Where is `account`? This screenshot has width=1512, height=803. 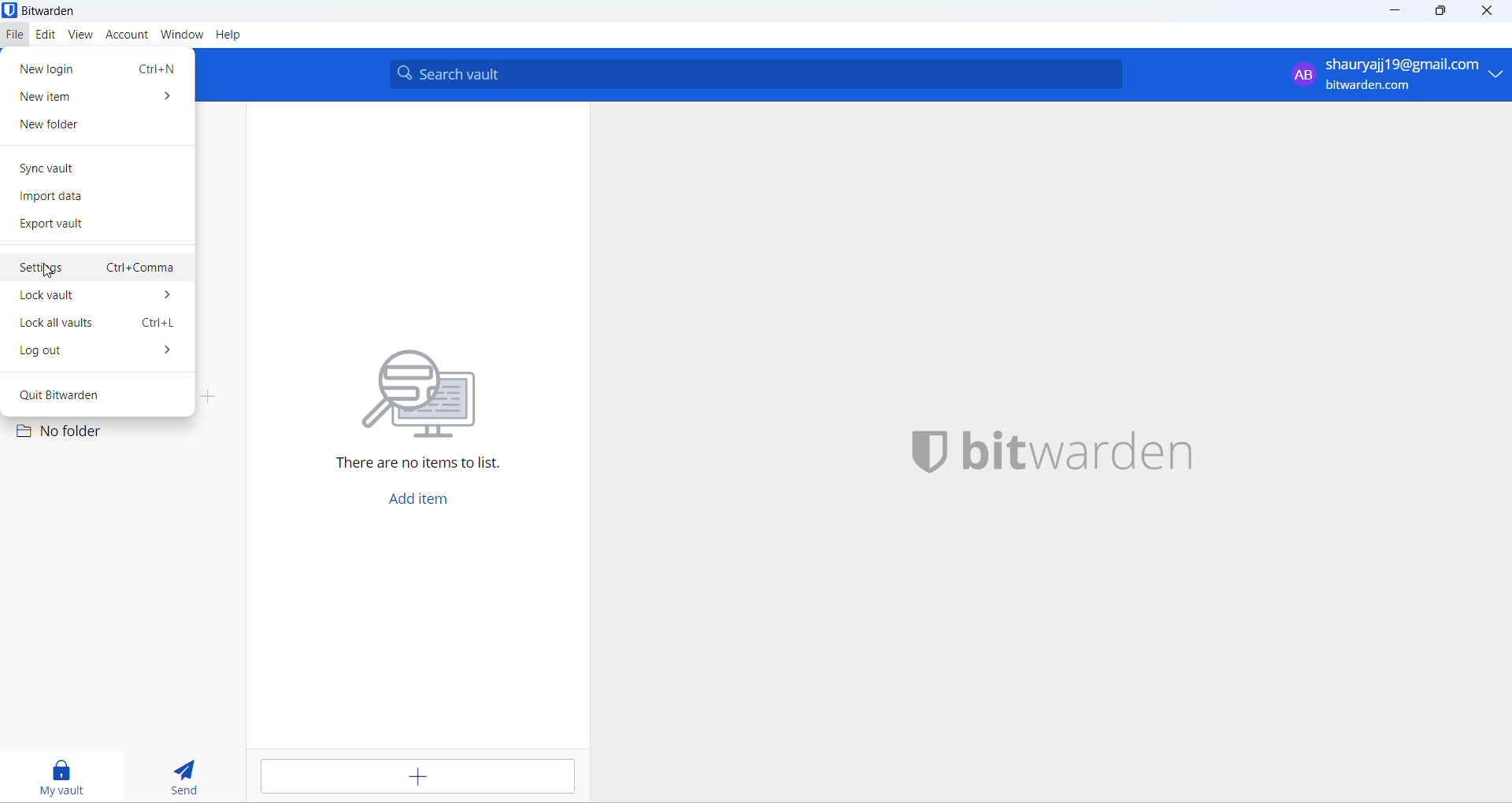
account is located at coordinates (127, 35).